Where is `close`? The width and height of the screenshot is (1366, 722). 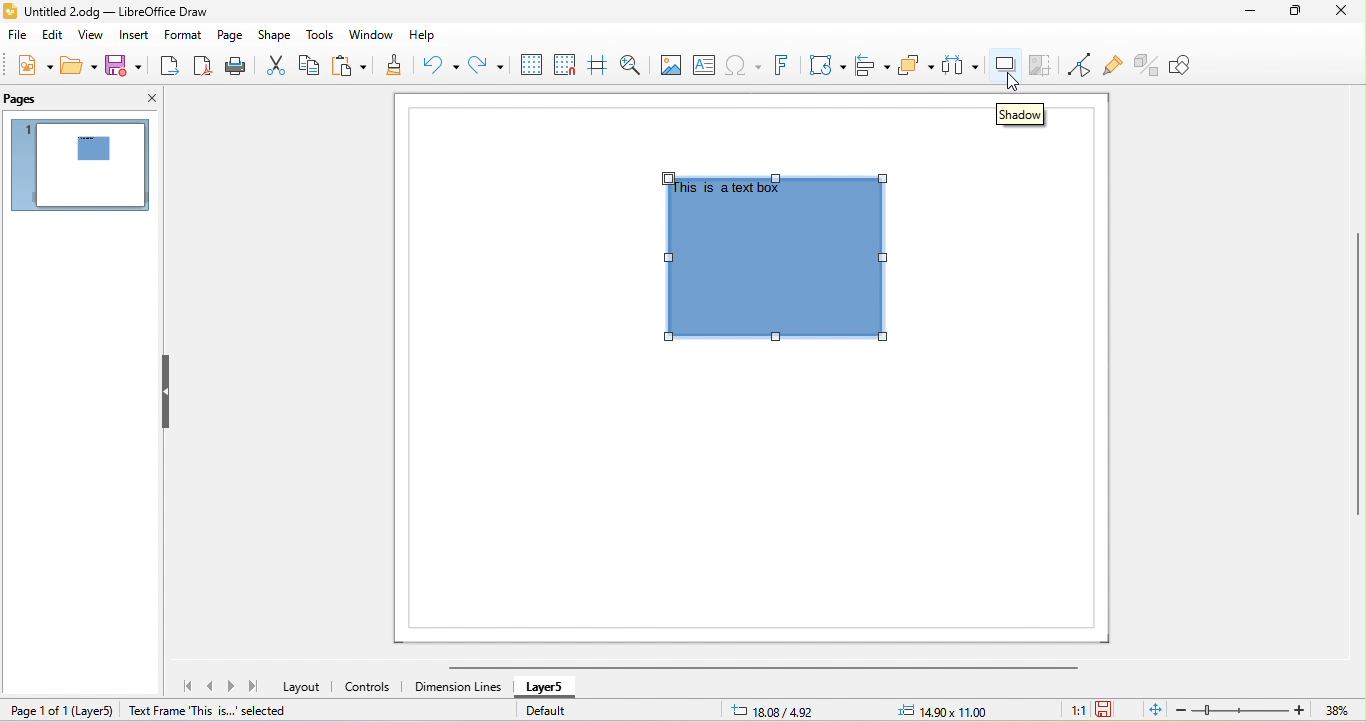
close is located at coordinates (1342, 10).